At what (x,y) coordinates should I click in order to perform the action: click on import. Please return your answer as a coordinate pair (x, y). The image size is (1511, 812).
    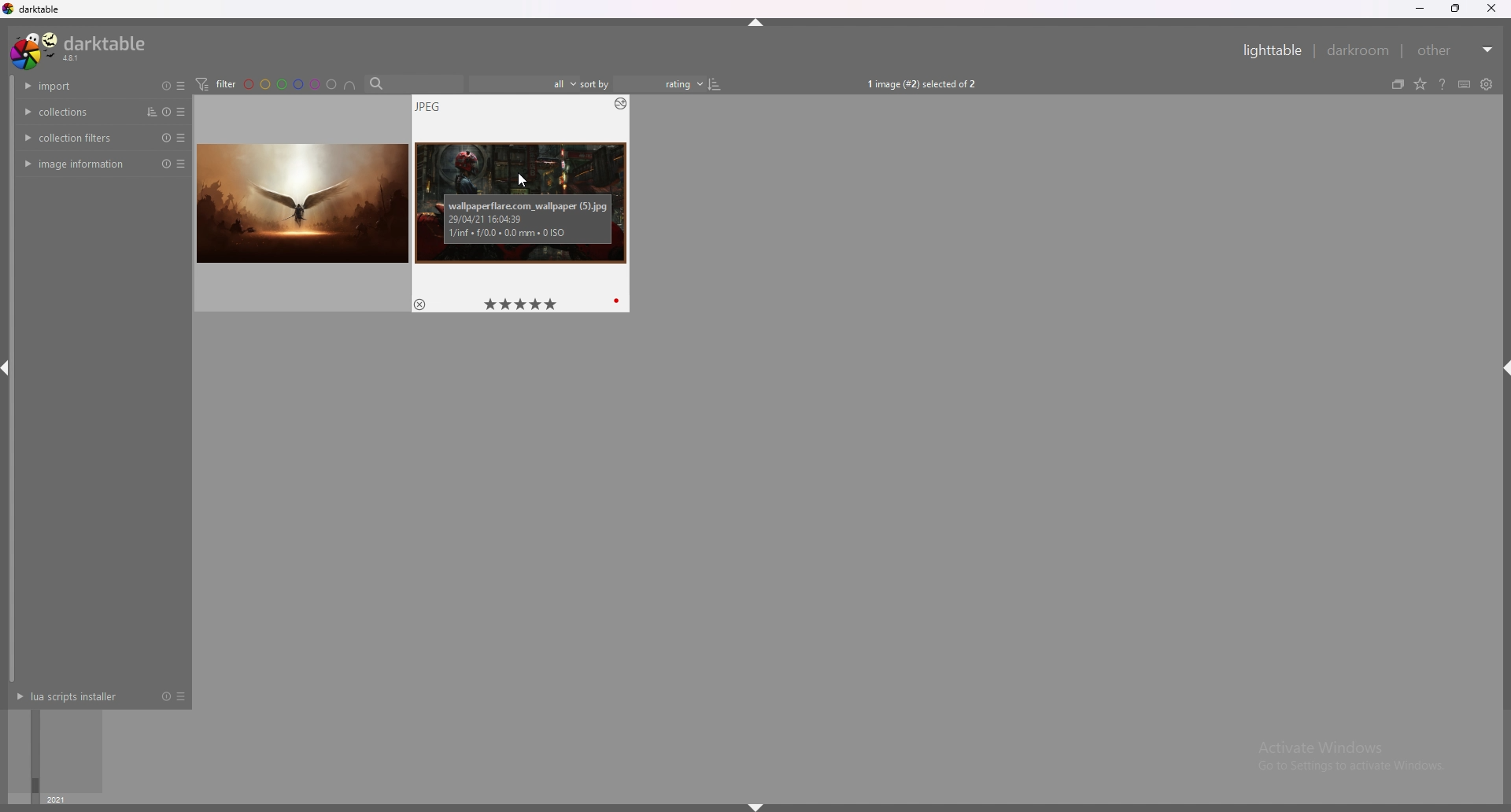
    Looking at the image, I should click on (80, 86).